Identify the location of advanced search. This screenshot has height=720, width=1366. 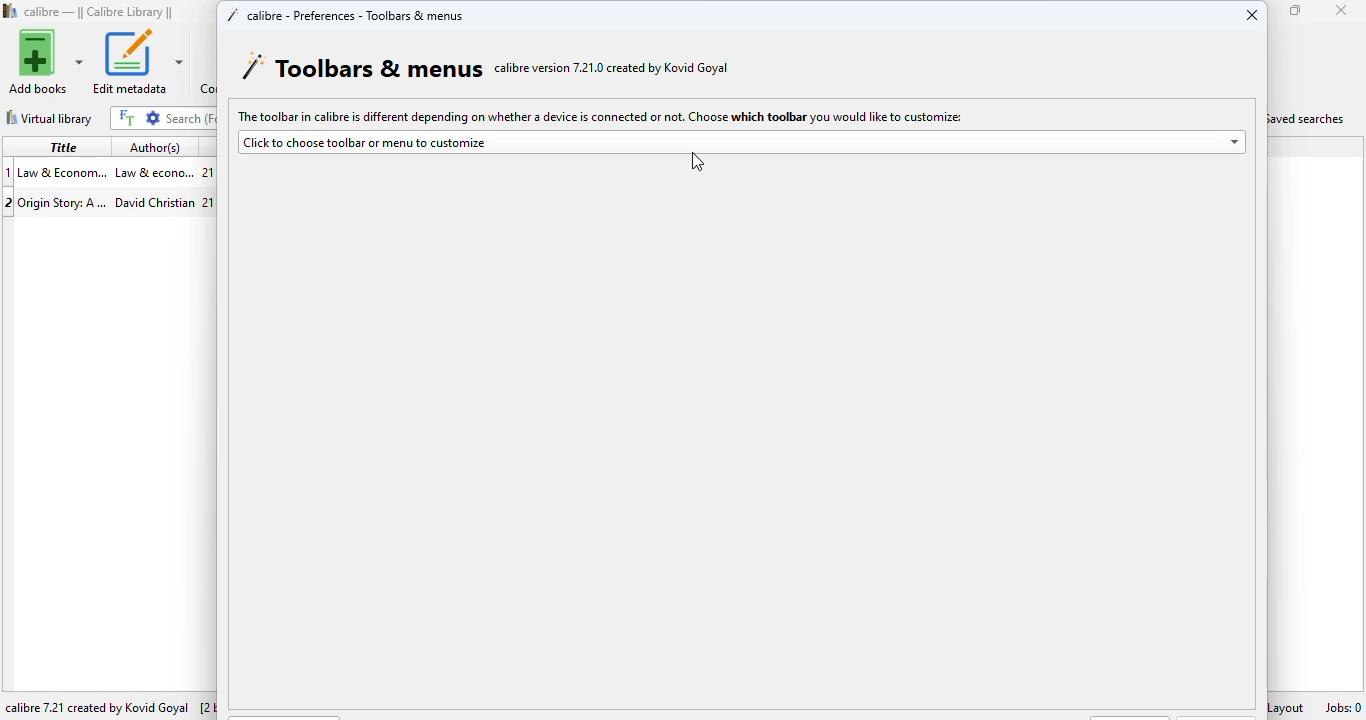
(153, 118).